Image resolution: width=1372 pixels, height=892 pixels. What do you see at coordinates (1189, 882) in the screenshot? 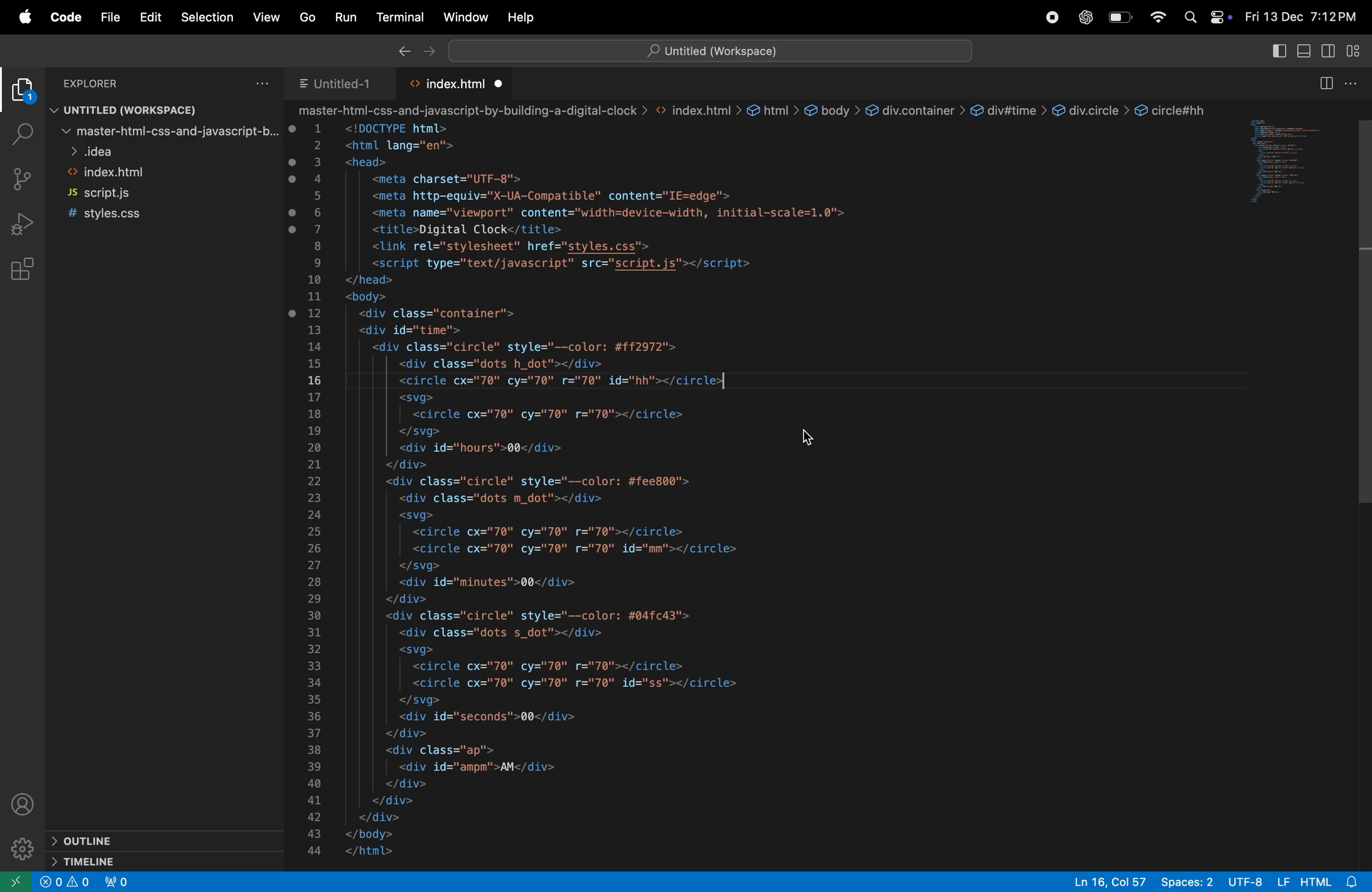
I see `spaces 2` at bounding box center [1189, 882].